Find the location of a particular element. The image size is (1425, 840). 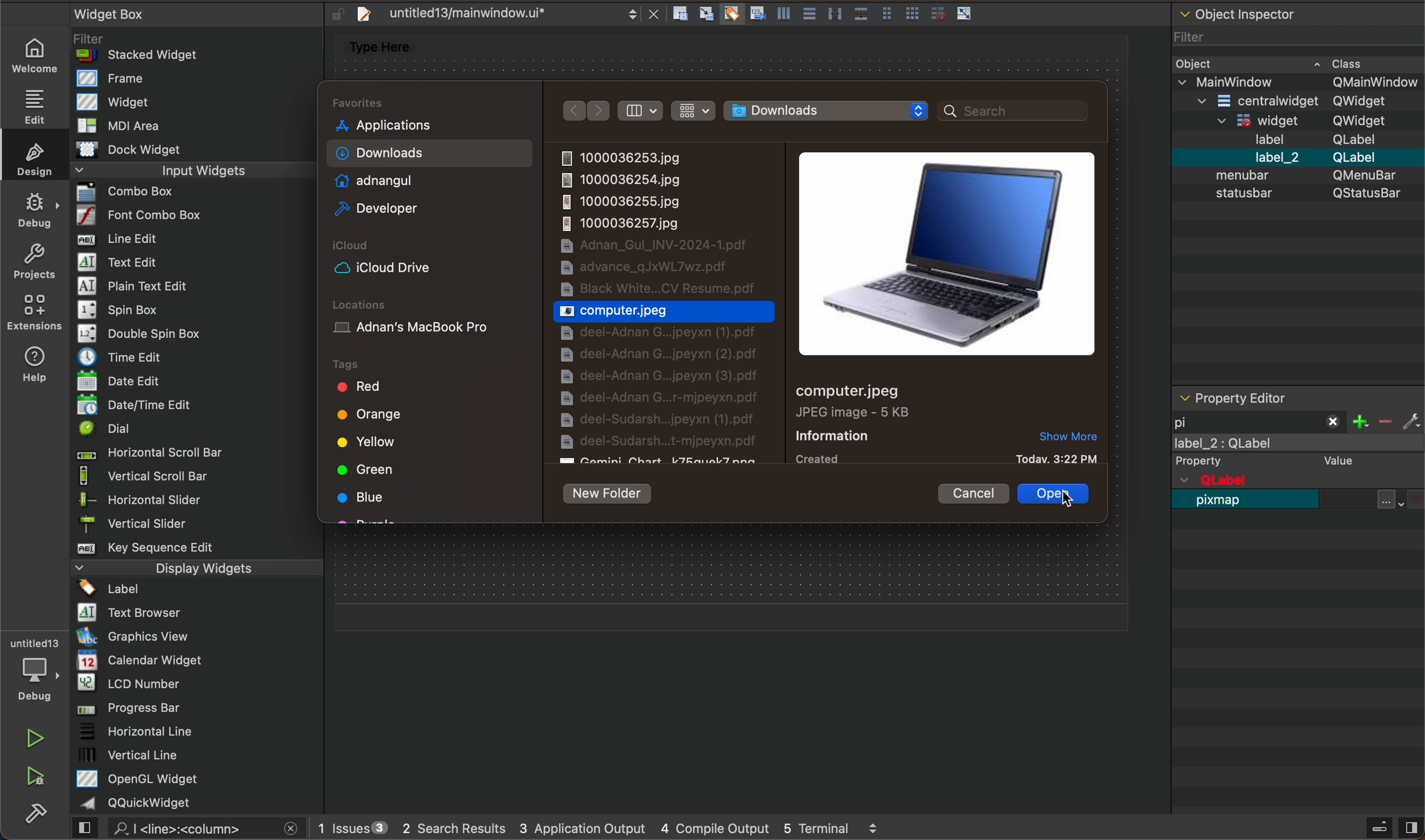

debugger is located at coordinates (33, 668).